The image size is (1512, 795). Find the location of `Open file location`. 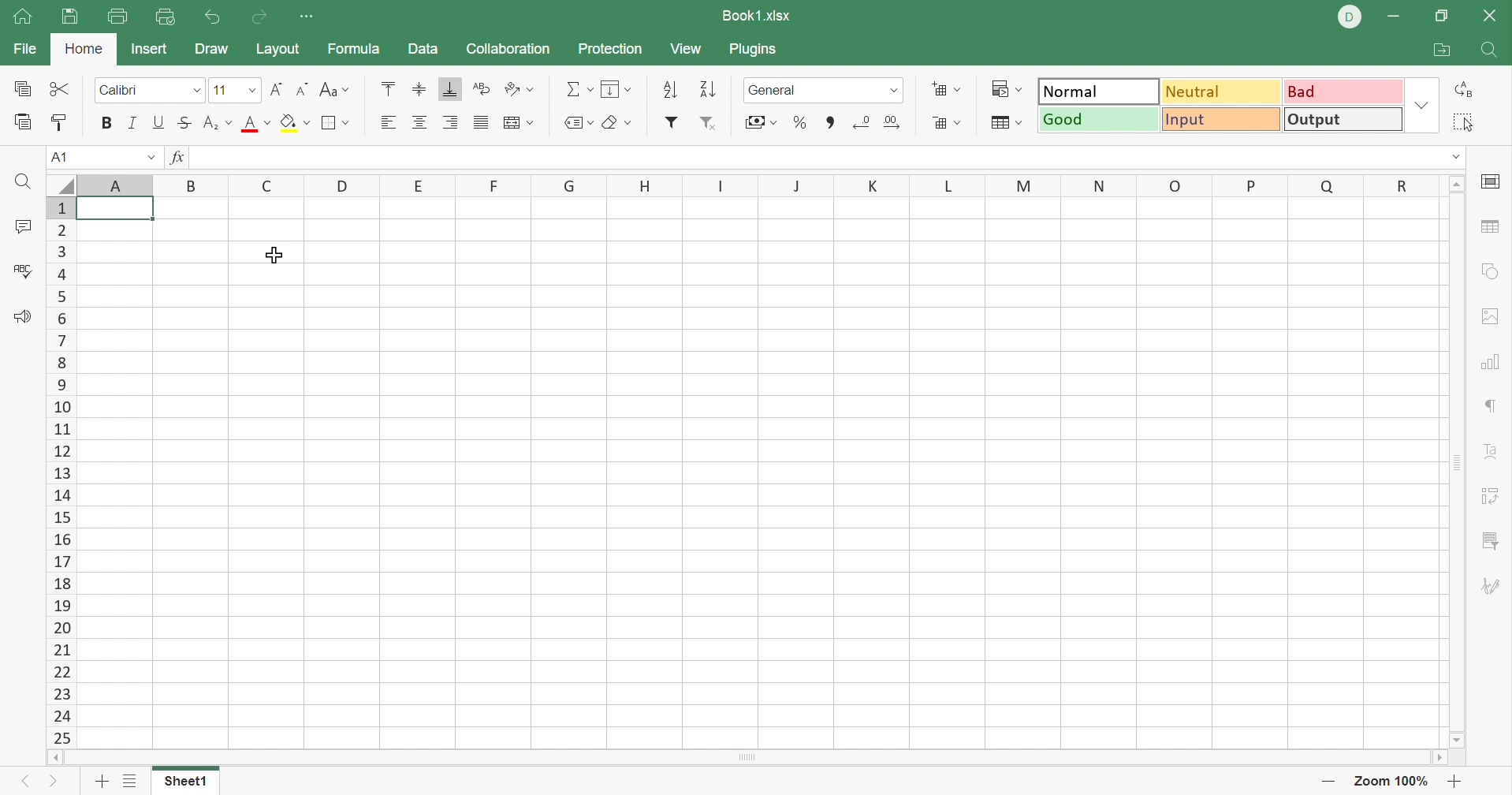

Open file location is located at coordinates (1439, 48).